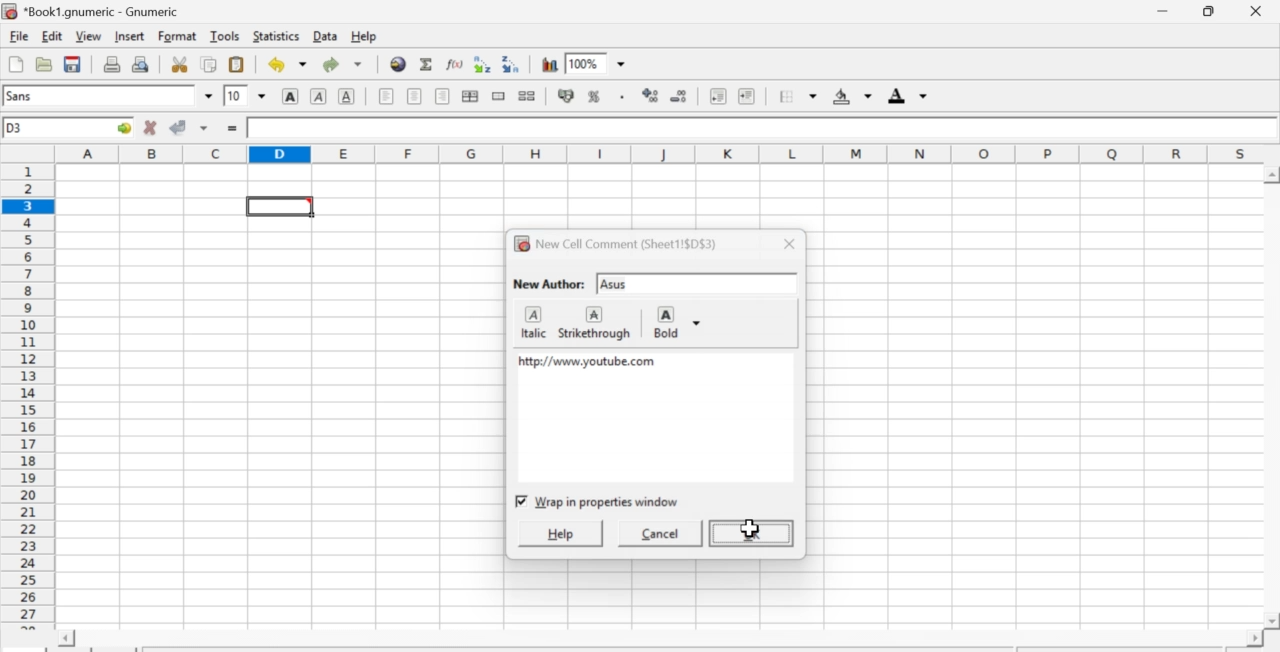 The image size is (1280, 652). What do you see at coordinates (798, 97) in the screenshot?
I see `Border` at bounding box center [798, 97].